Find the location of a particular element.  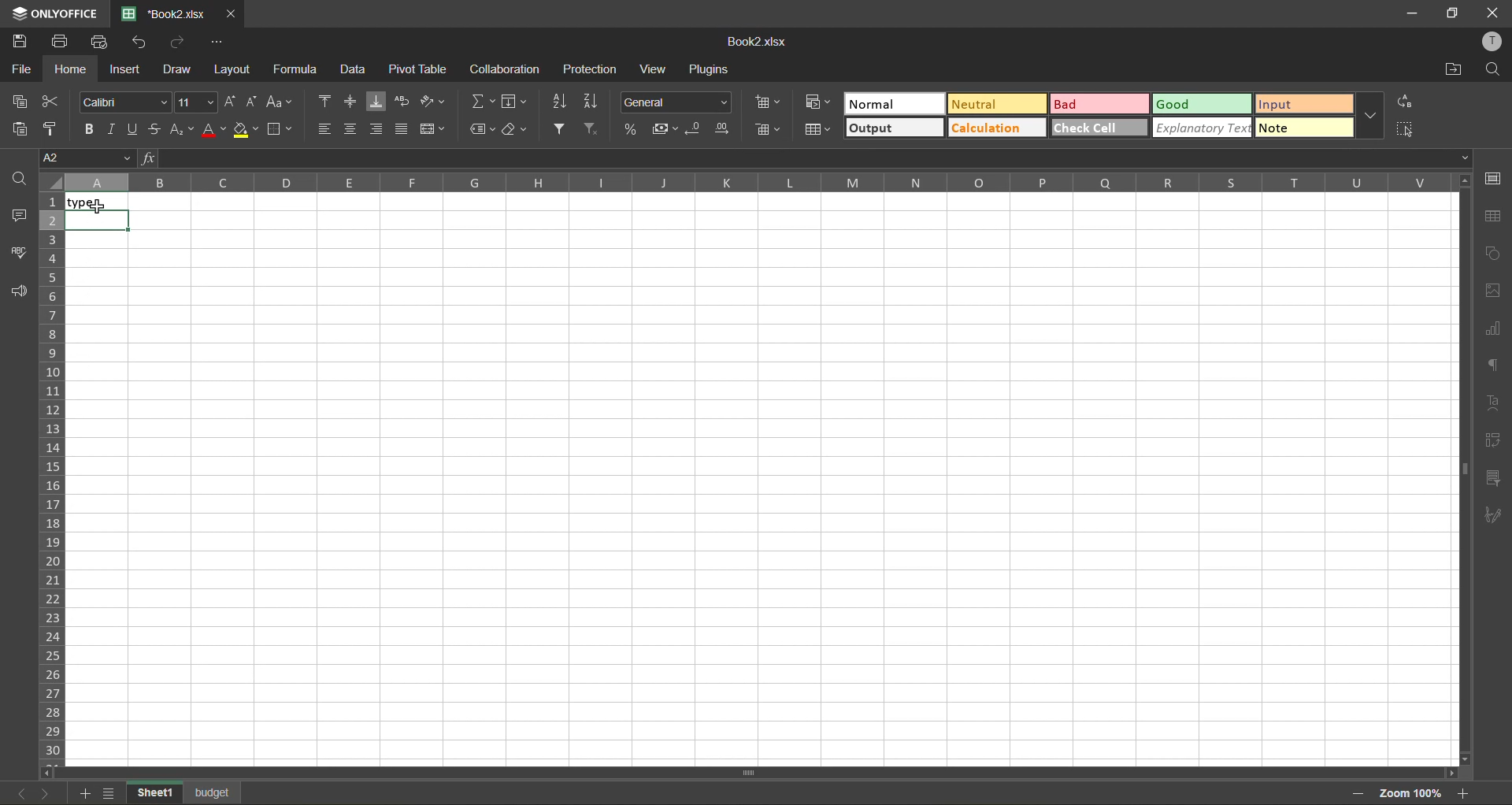

file name is located at coordinates (169, 14).